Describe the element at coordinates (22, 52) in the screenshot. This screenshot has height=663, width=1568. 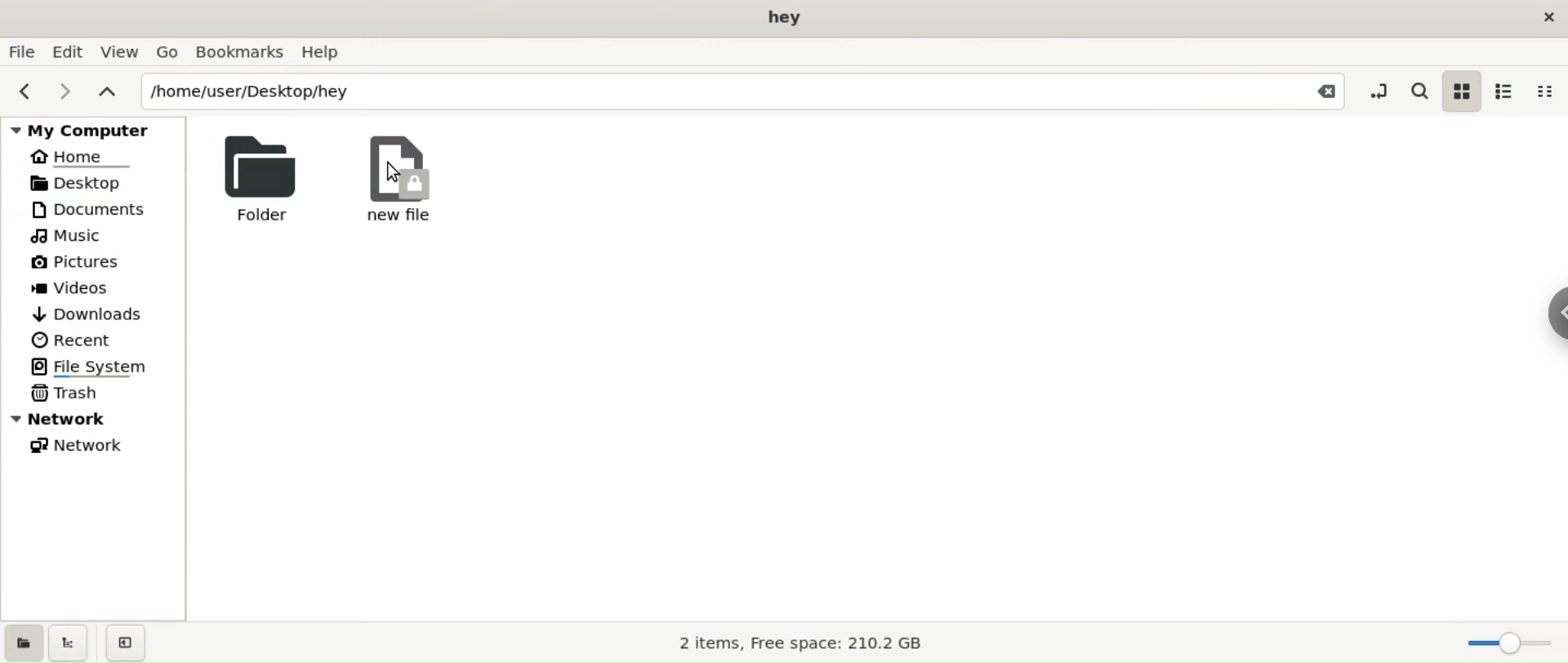
I see `File` at that location.